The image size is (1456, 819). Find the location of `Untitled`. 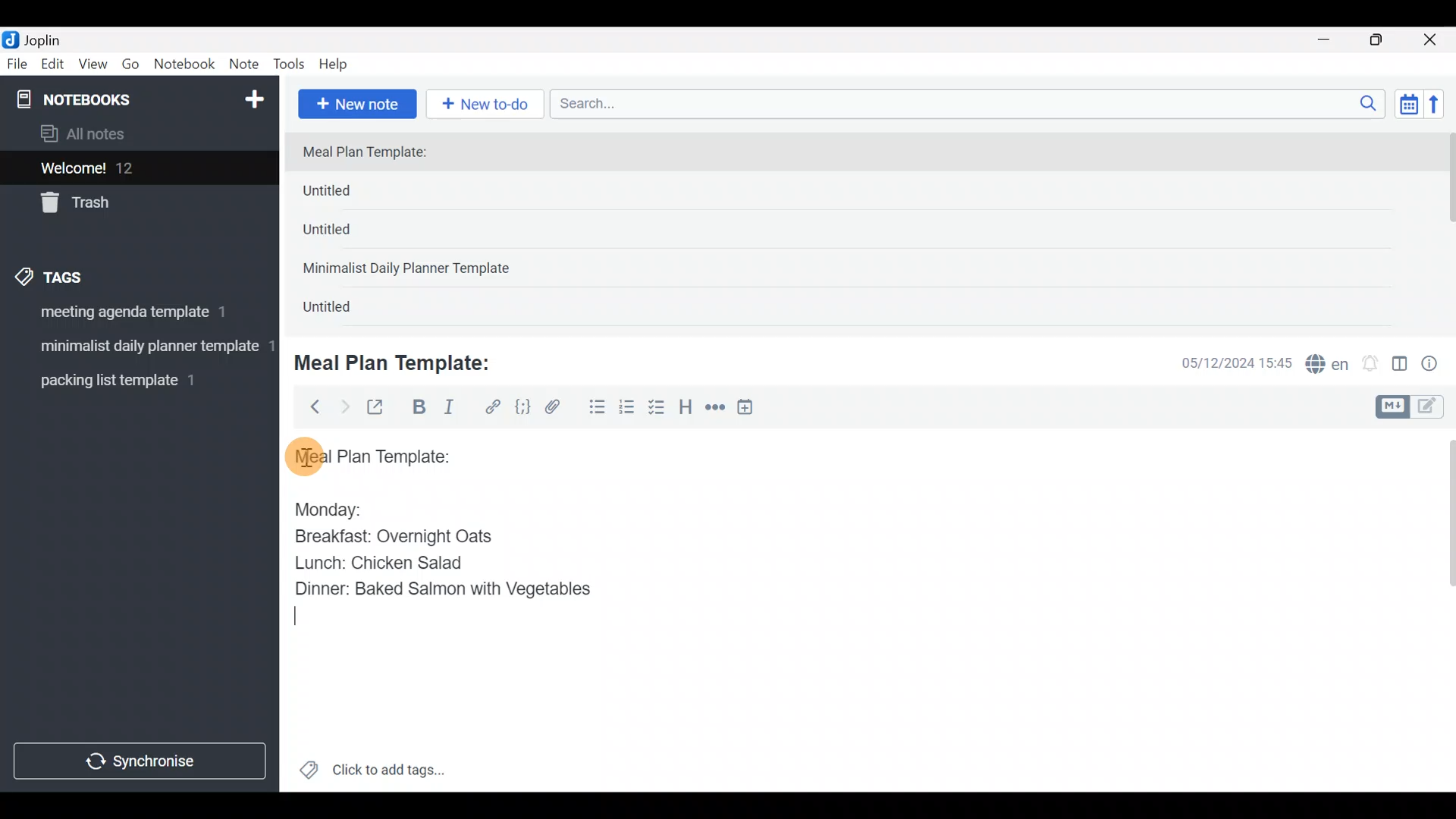

Untitled is located at coordinates (344, 310).